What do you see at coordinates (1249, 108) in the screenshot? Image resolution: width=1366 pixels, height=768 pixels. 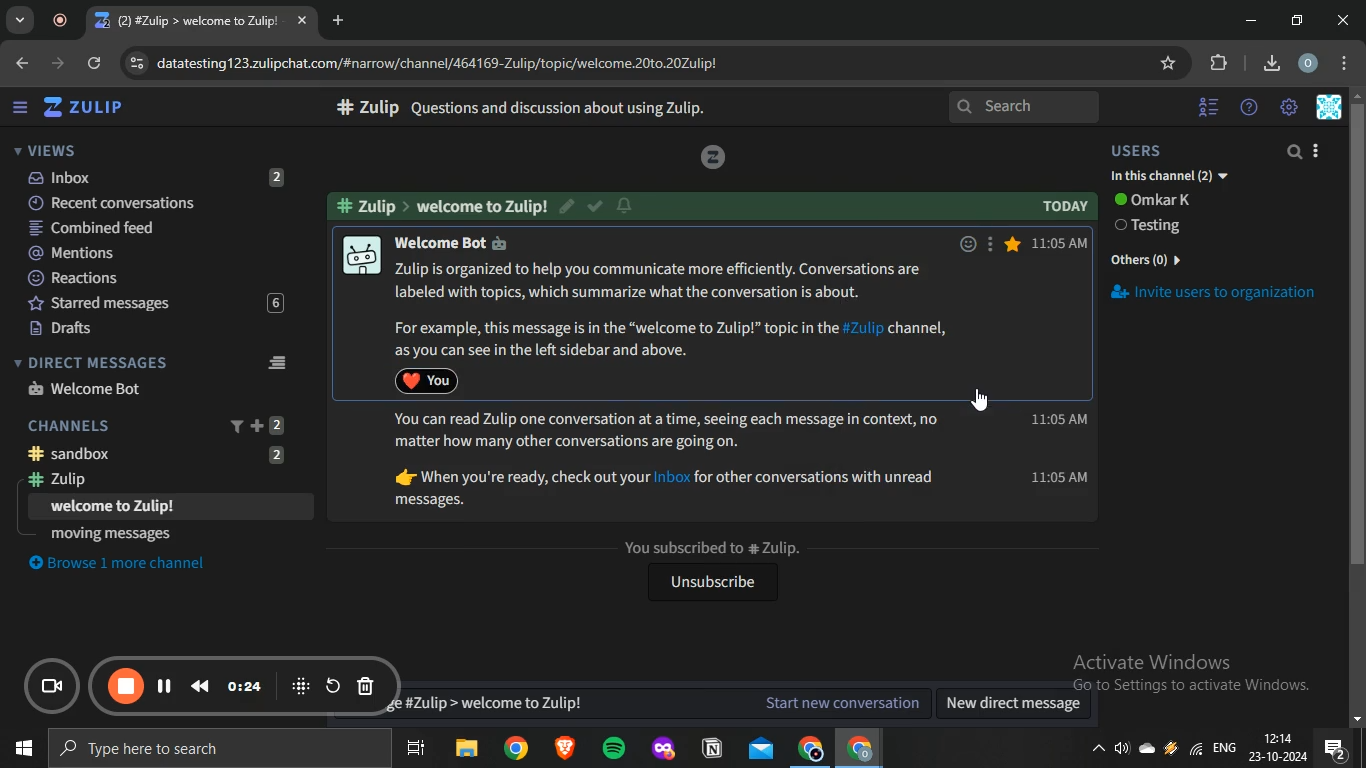 I see `help menu` at bounding box center [1249, 108].